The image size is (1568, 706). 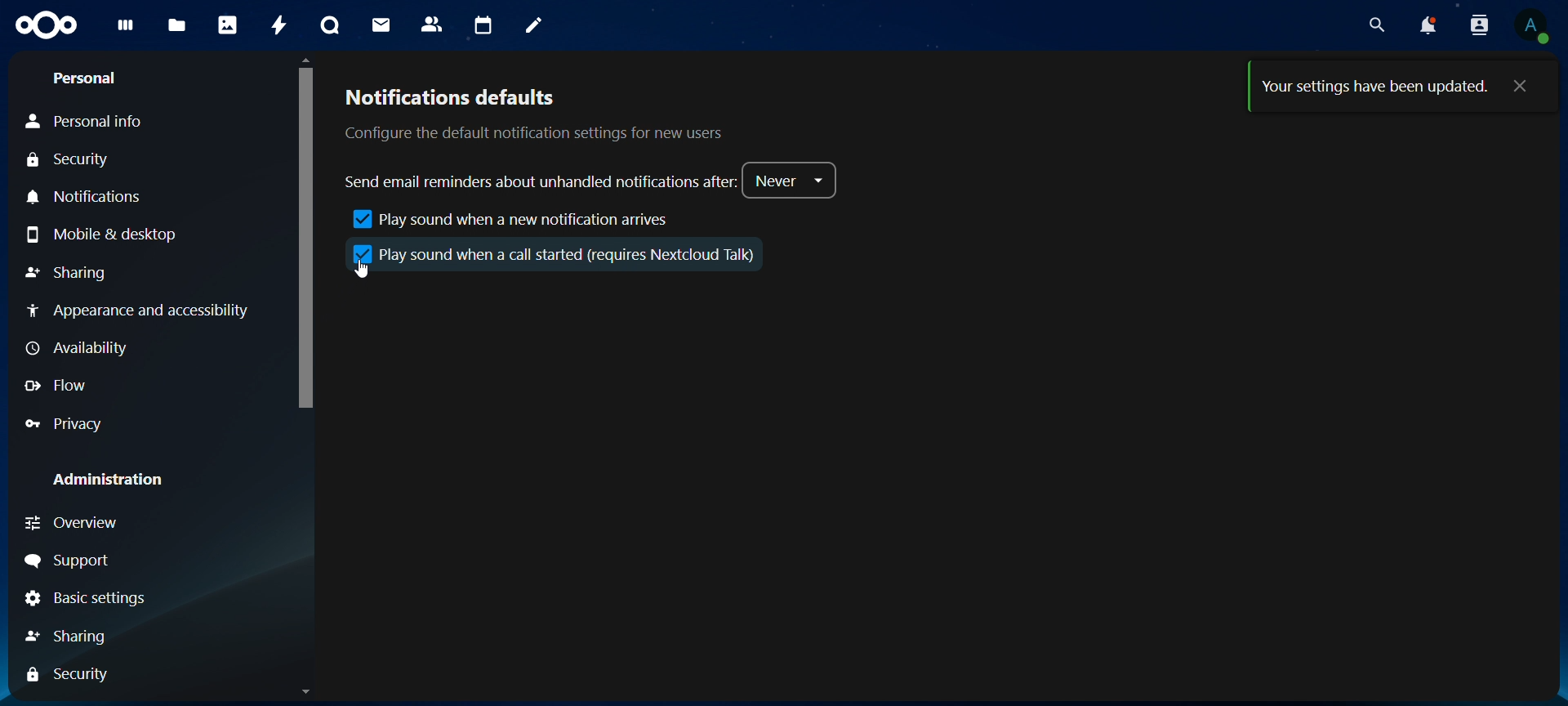 I want to click on never, so click(x=792, y=182).